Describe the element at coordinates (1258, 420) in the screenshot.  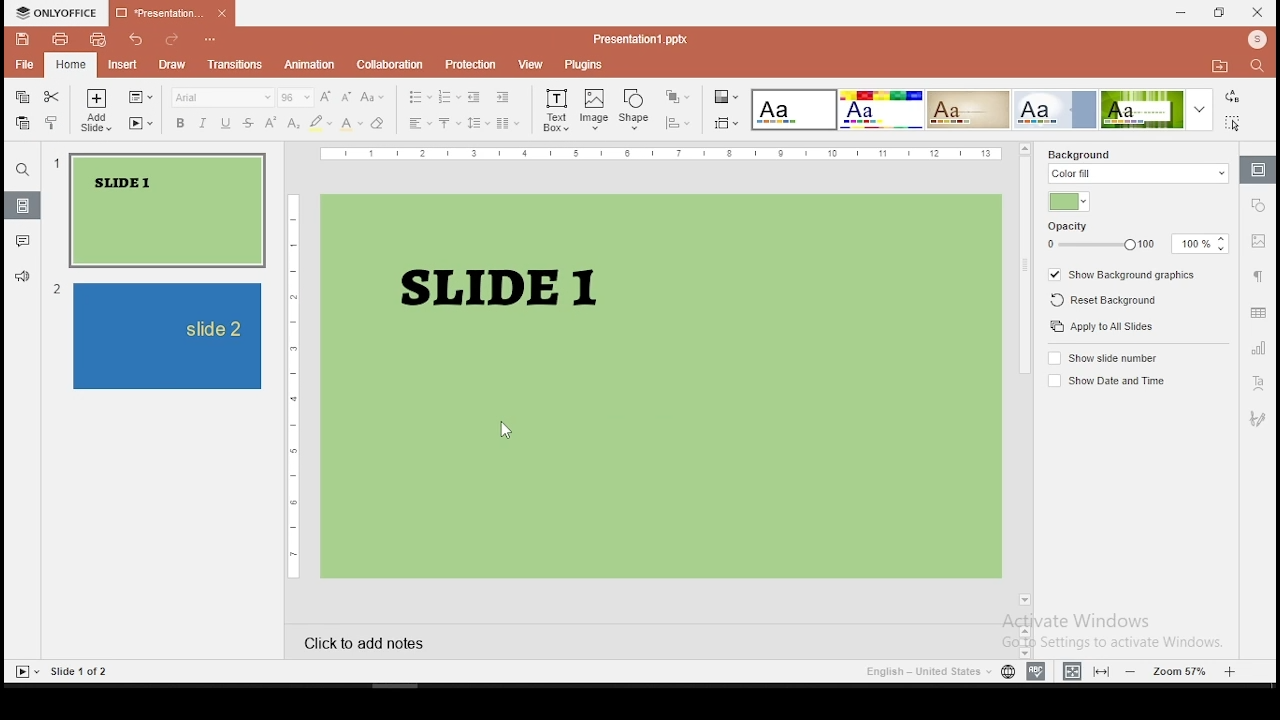
I see `Signature settings` at that location.